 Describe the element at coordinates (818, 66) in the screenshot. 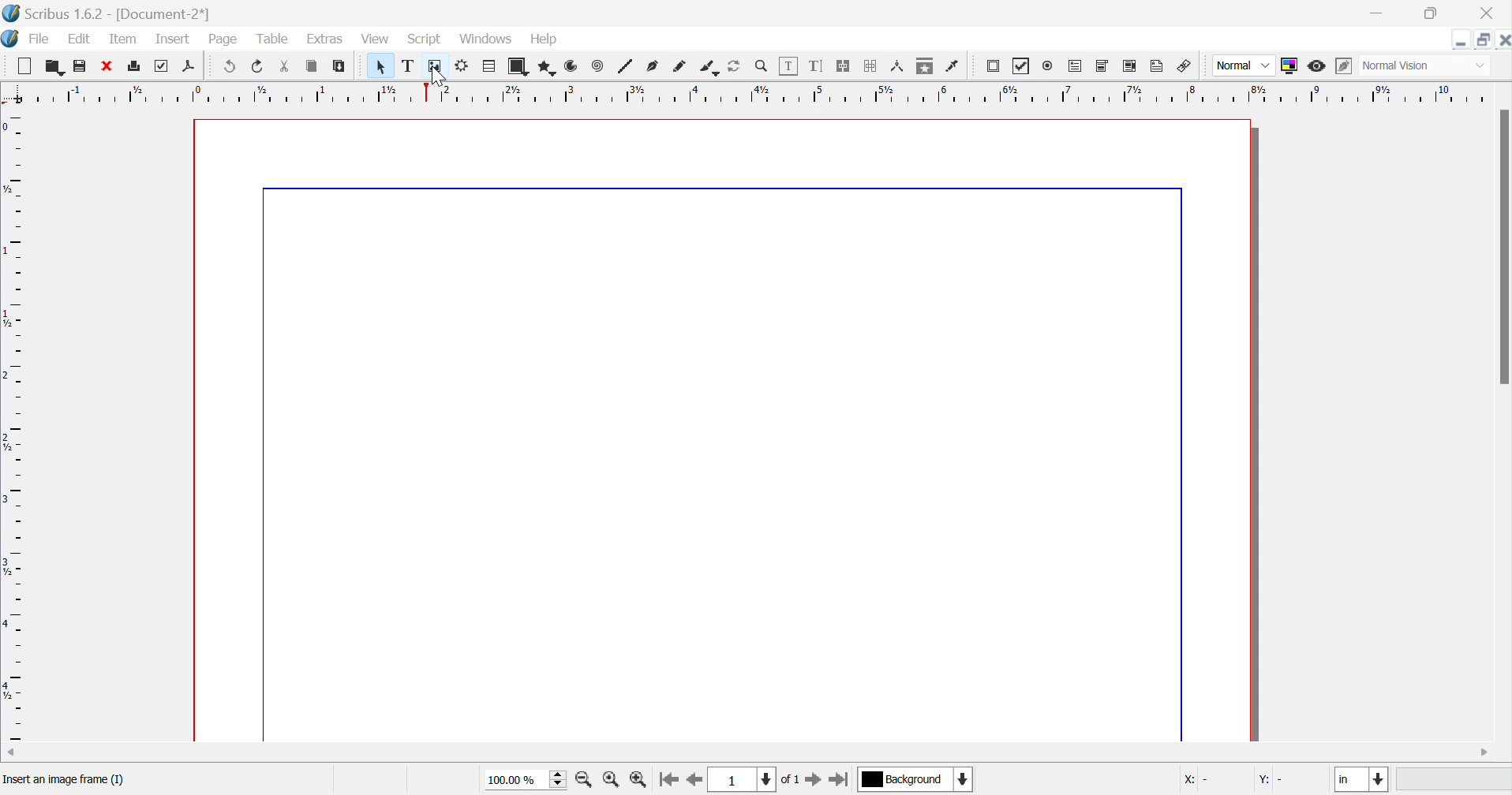

I see `edit text with story editor` at that location.